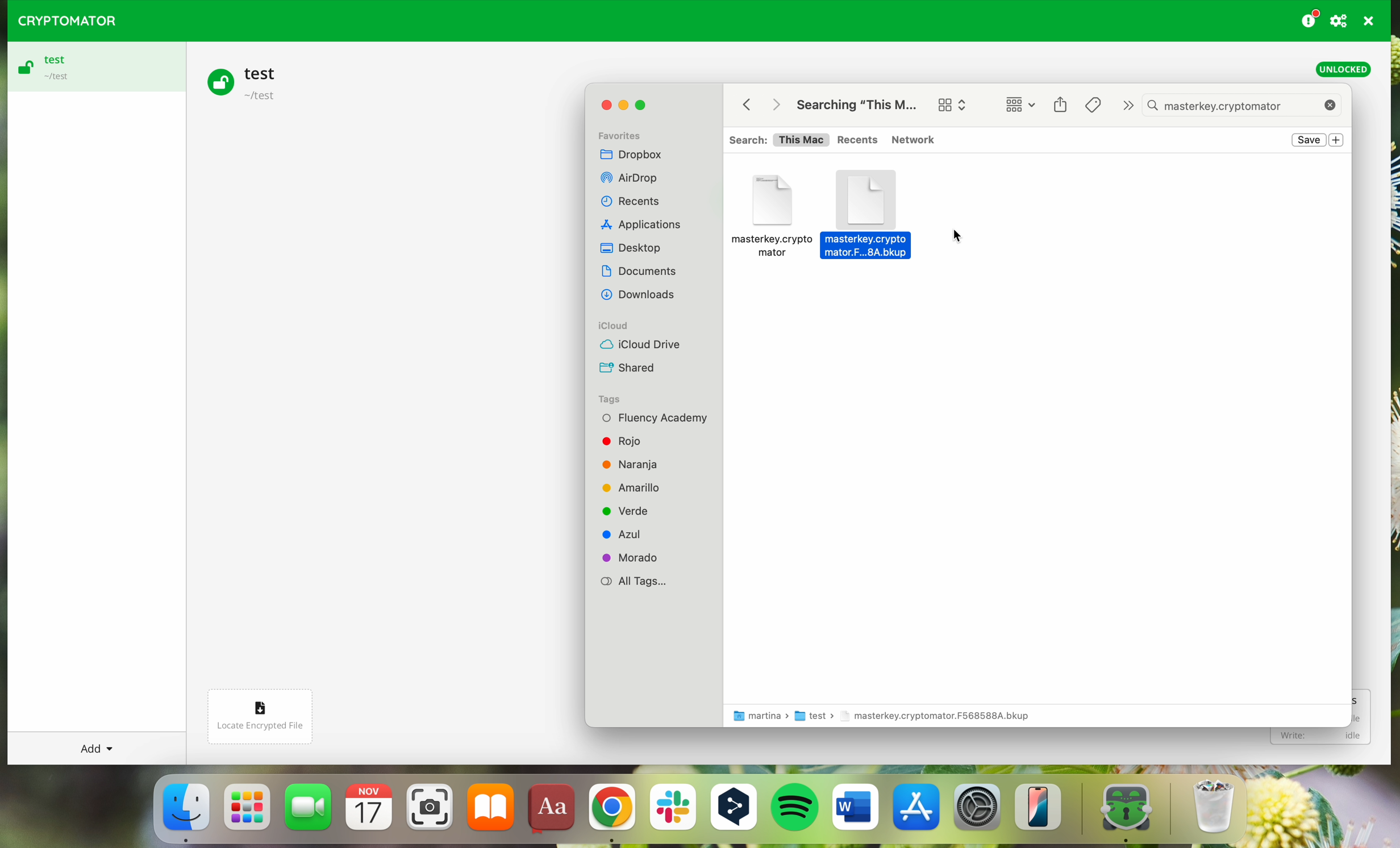  I want to click on iCloud Drive, so click(640, 345).